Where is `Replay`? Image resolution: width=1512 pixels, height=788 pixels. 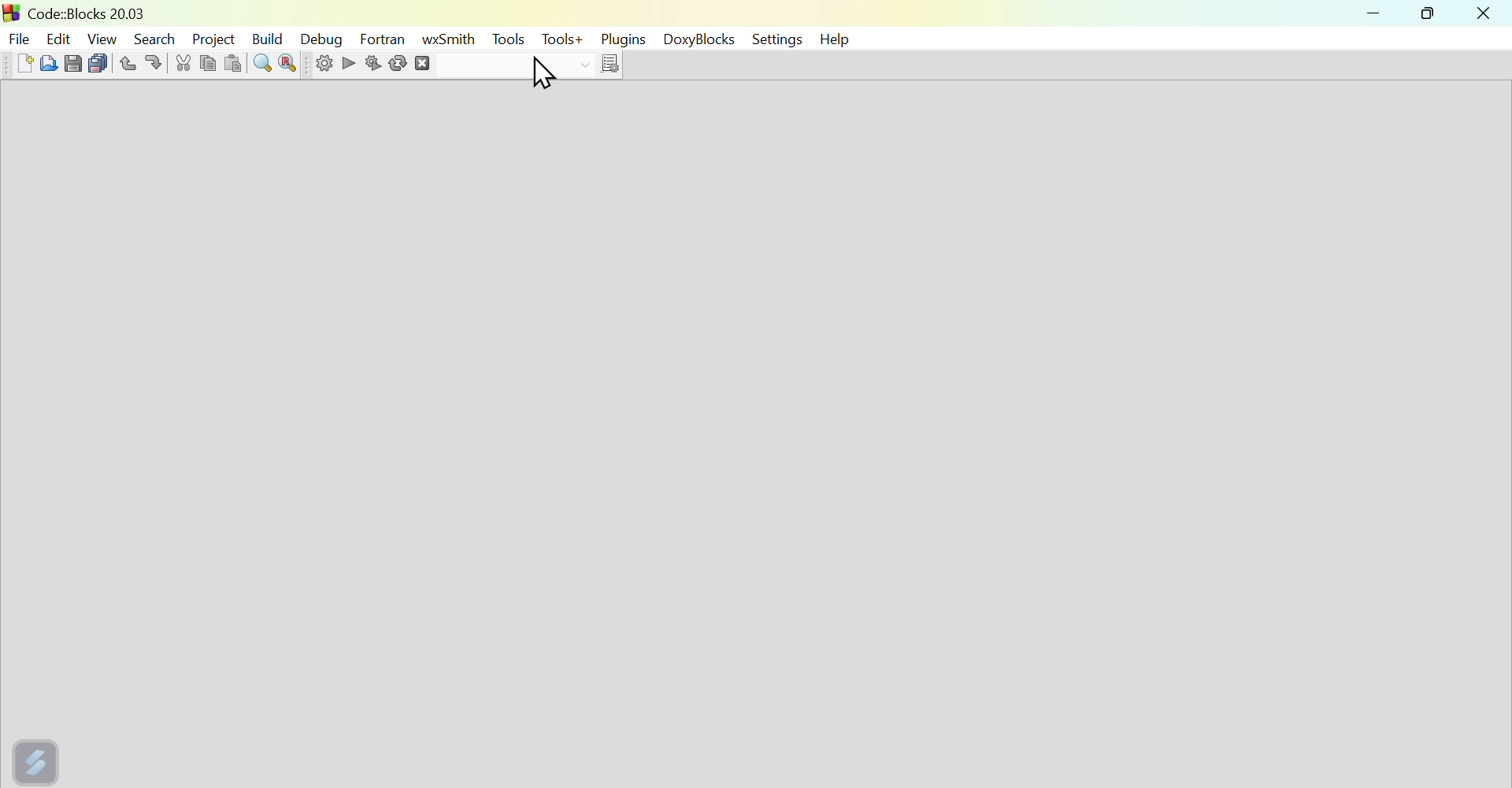 Replay is located at coordinates (398, 65).